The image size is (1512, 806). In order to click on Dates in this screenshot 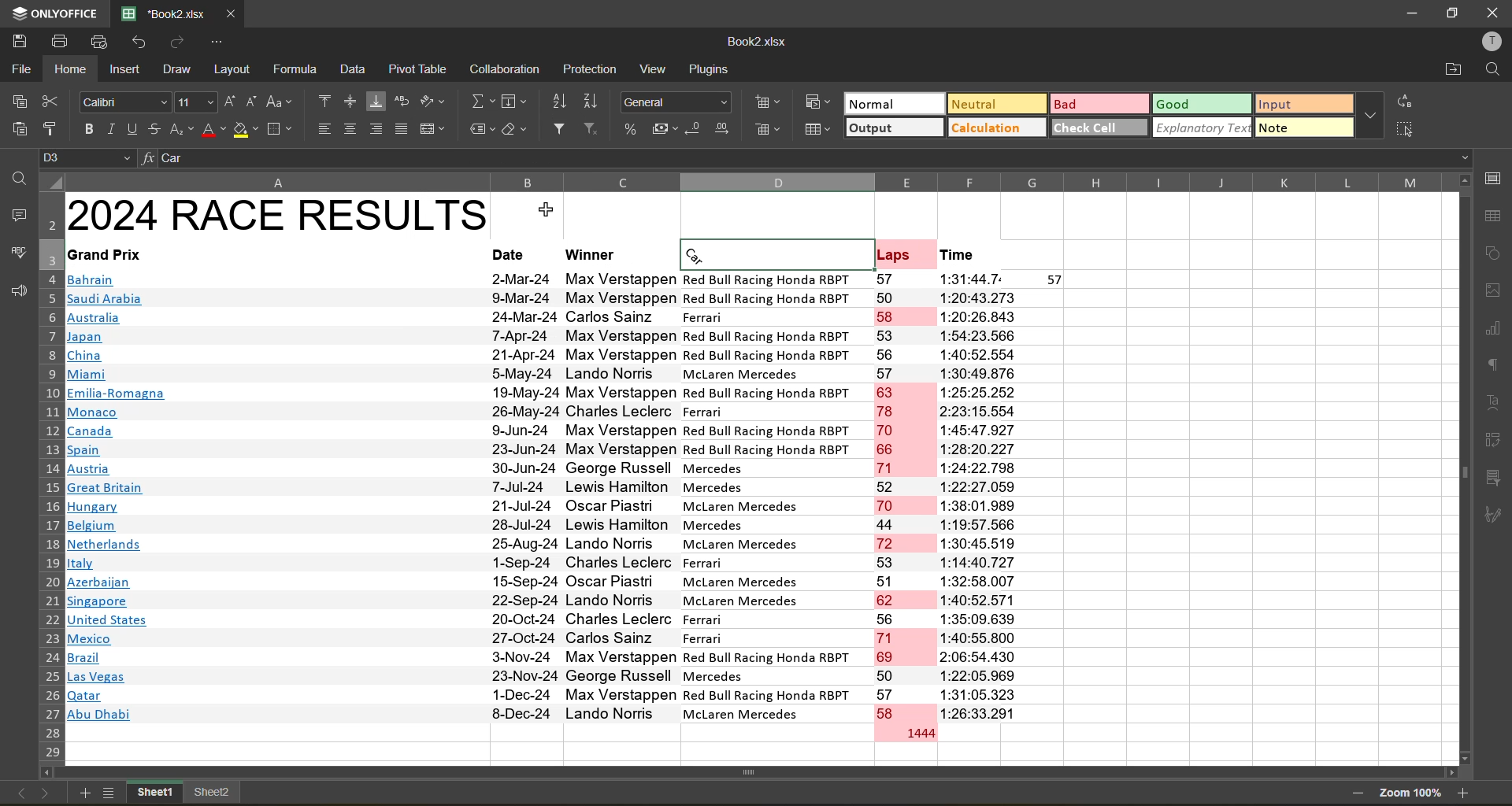, I will do `click(523, 497)`.